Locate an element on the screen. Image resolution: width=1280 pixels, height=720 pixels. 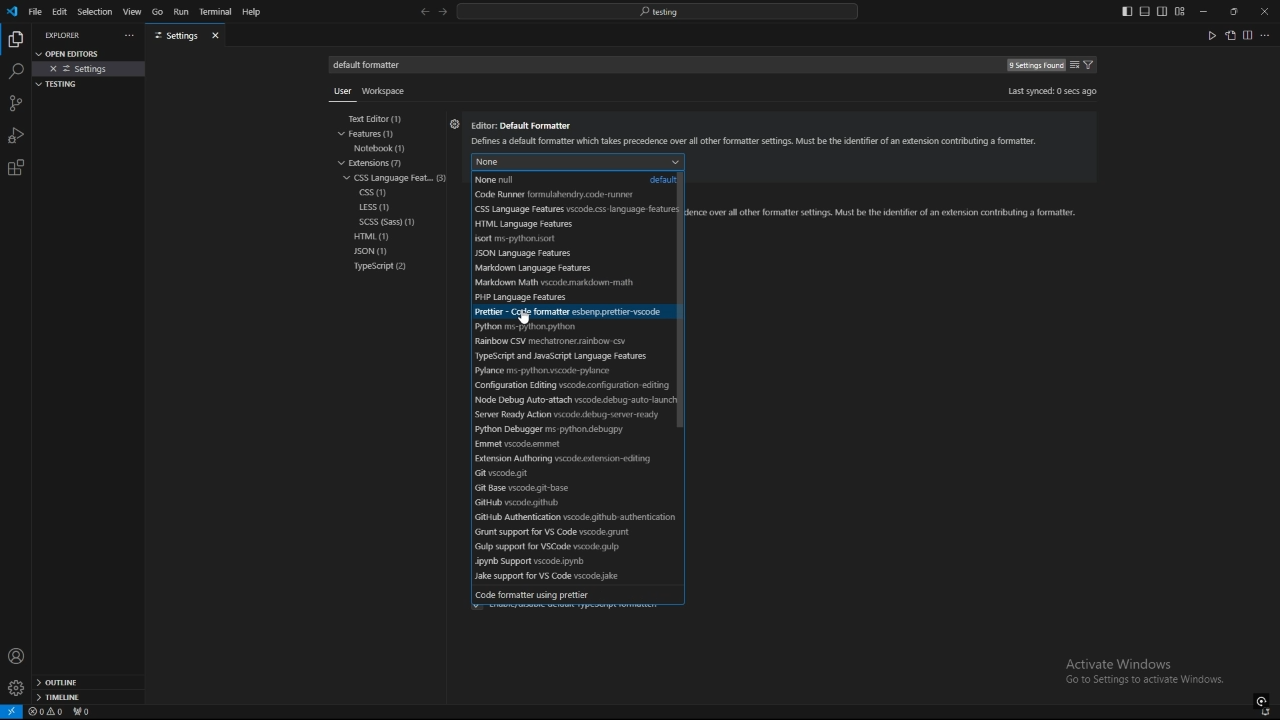
edit is located at coordinates (60, 11).